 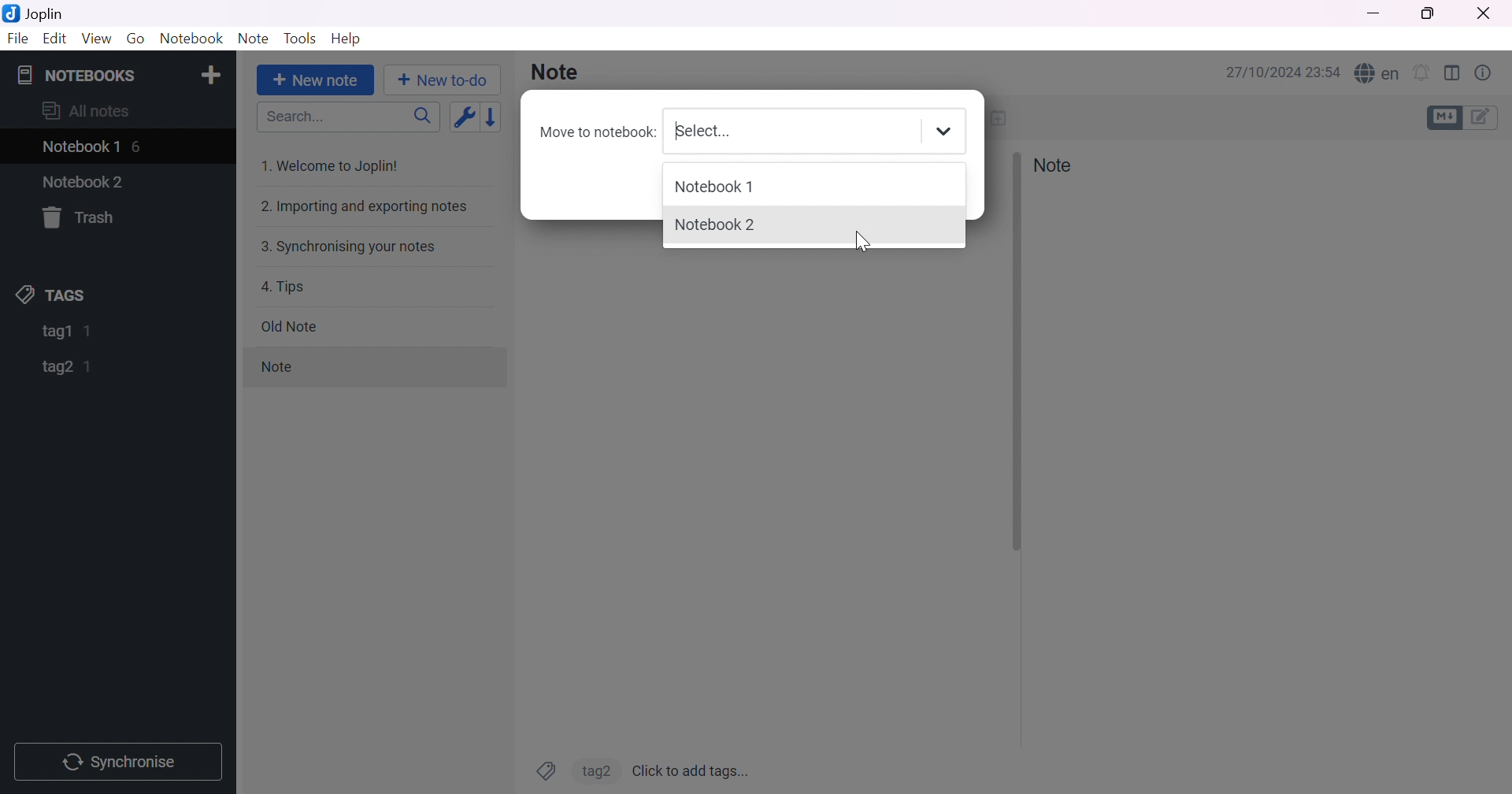 I want to click on Trash, so click(x=83, y=217).